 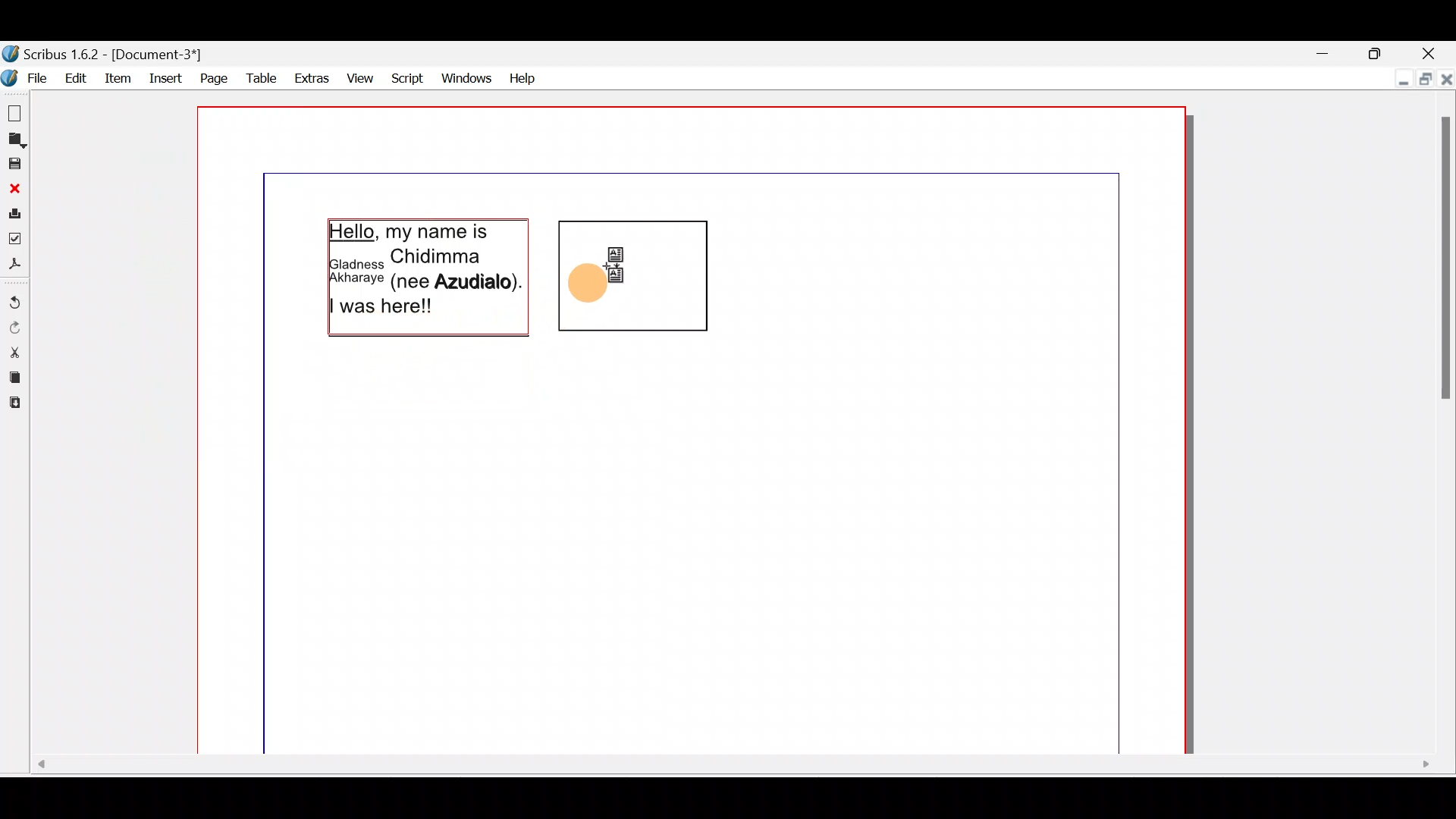 What do you see at coordinates (14, 378) in the screenshot?
I see `Copy` at bounding box center [14, 378].